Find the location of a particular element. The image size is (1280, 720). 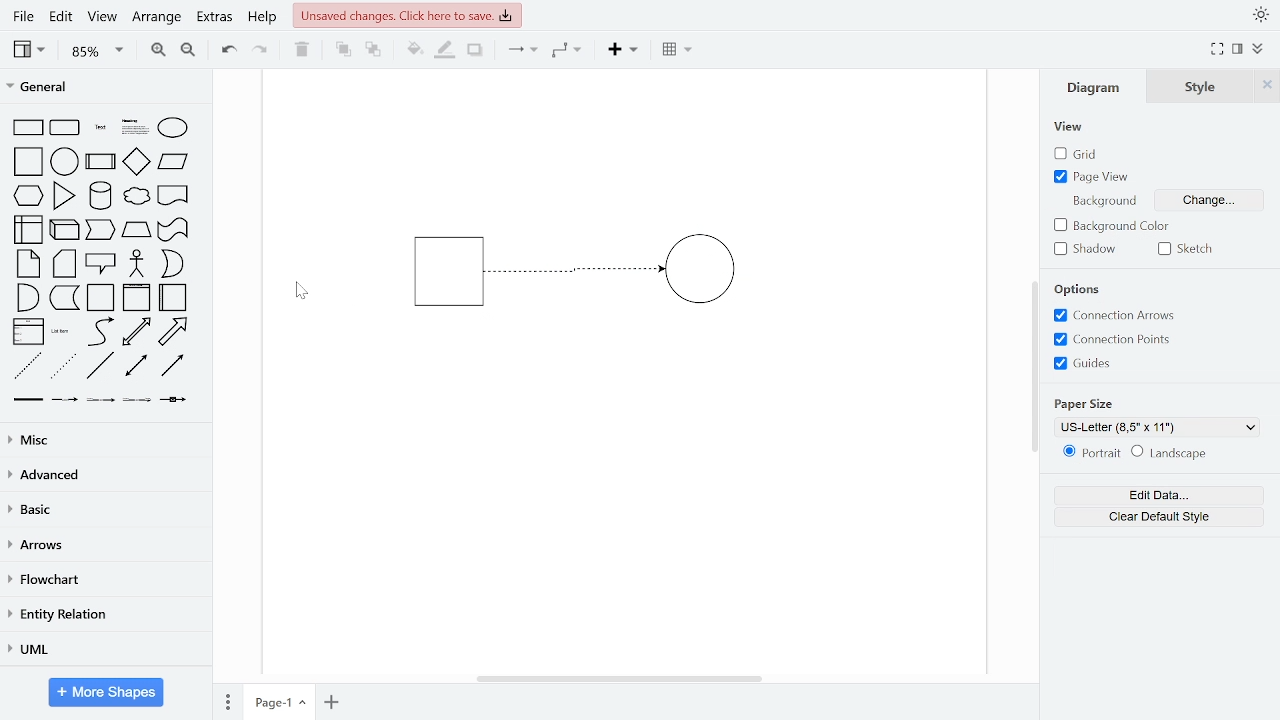

data storage is located at coordinates (65, 297).